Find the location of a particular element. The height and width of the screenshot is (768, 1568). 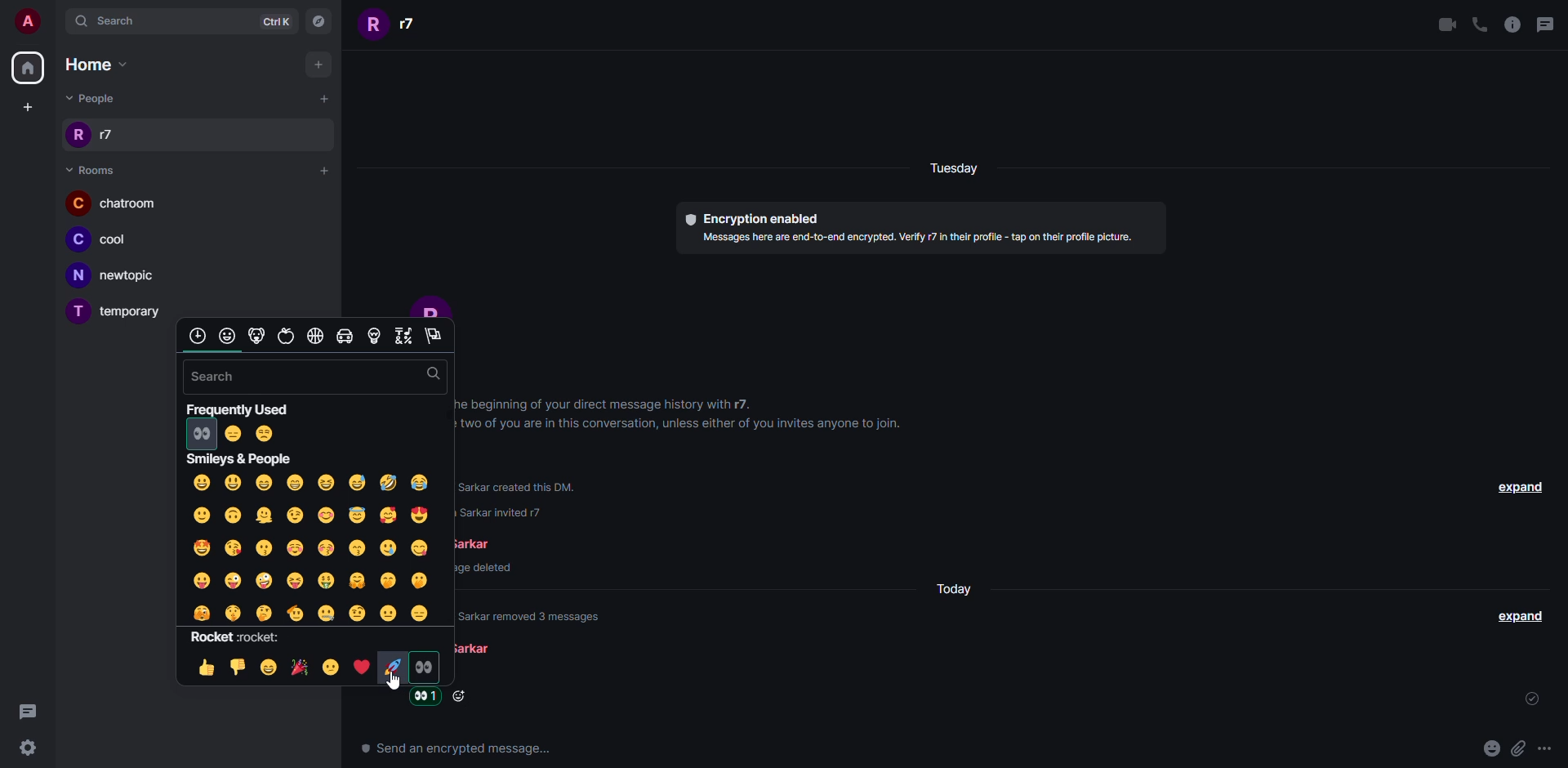

video call is located at coordinates (1447, 24).